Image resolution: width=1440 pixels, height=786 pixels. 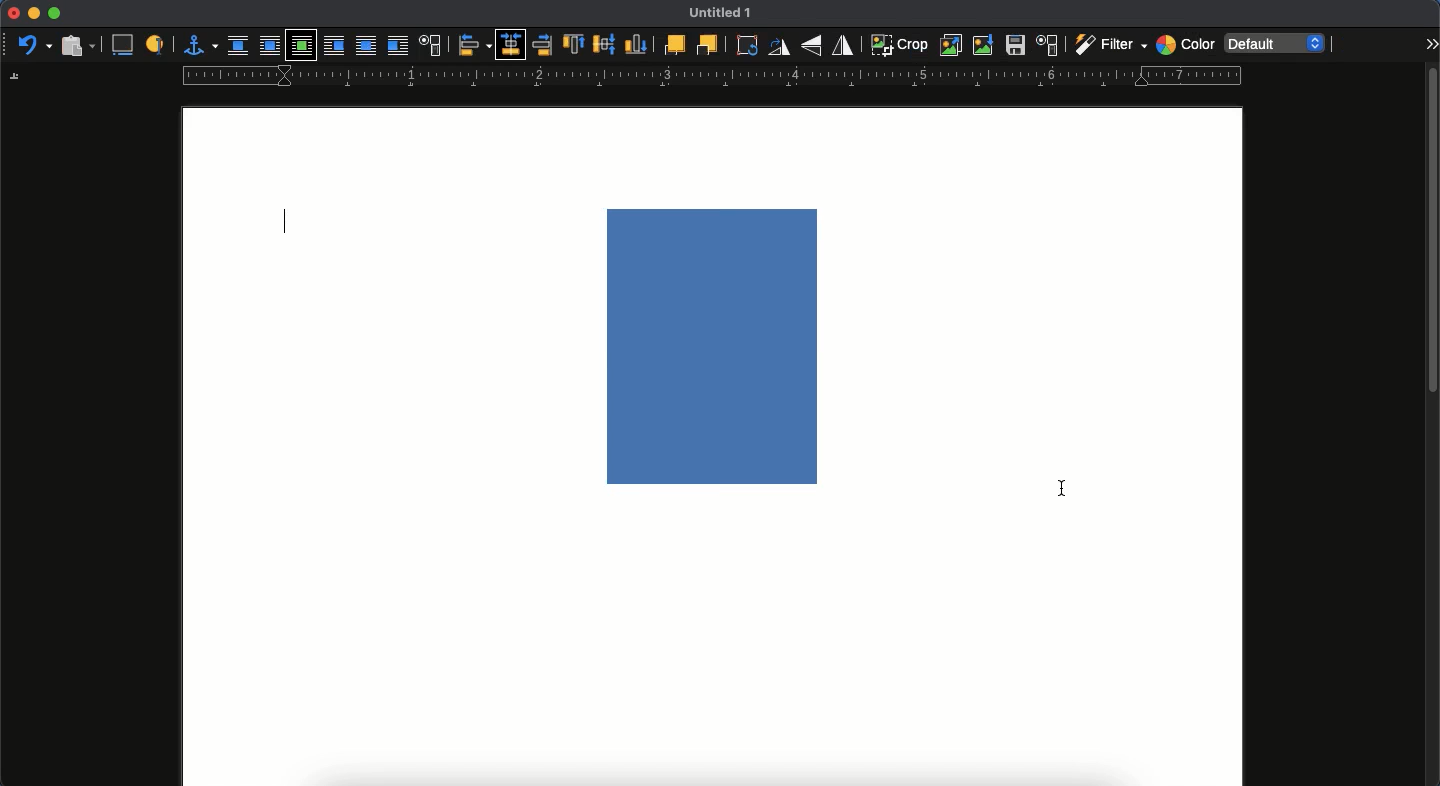 What do you see at coordinates (709, 46) in the screenshot?
I see `back one` at bounding box center [709, 46].